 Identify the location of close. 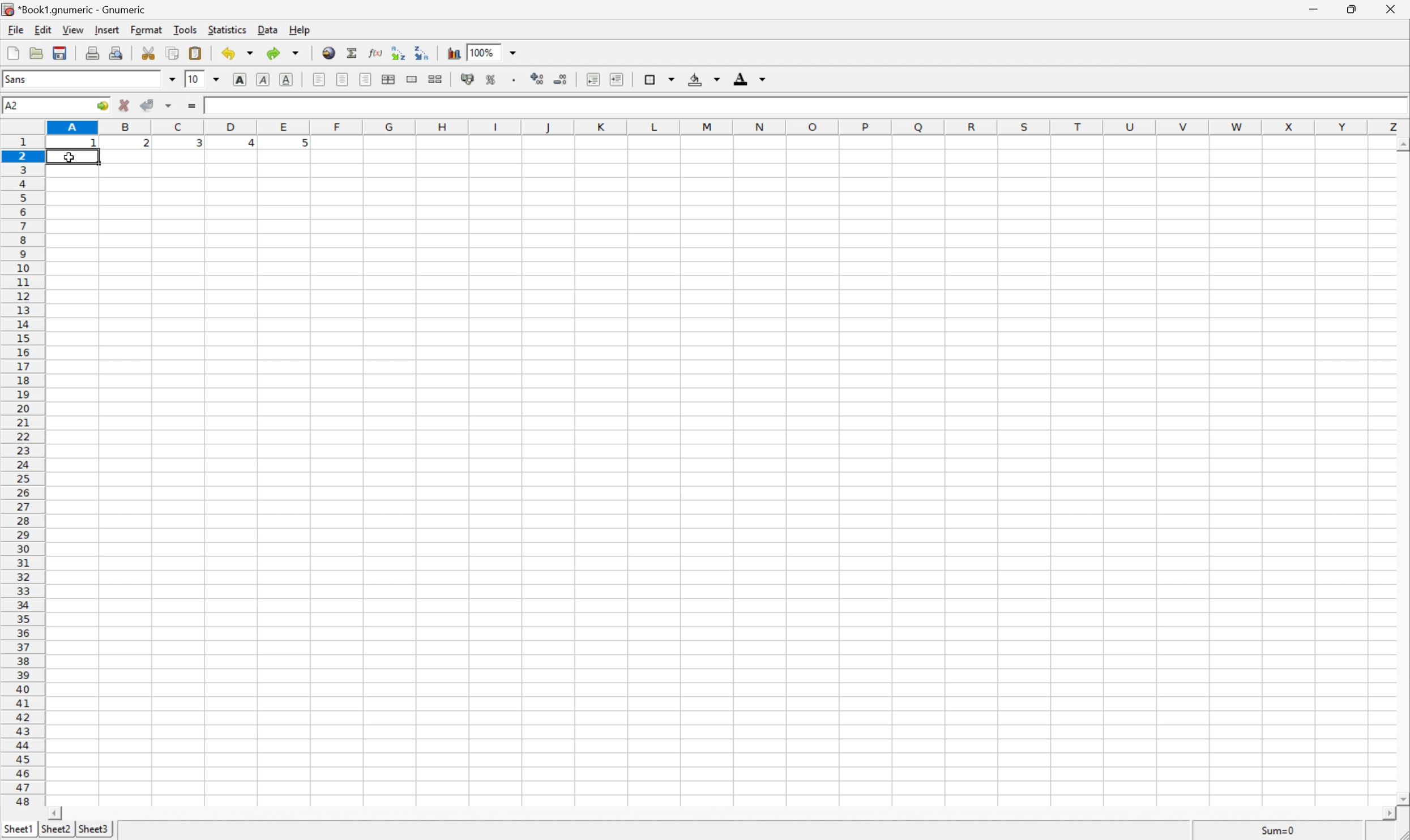
(1393, 11).